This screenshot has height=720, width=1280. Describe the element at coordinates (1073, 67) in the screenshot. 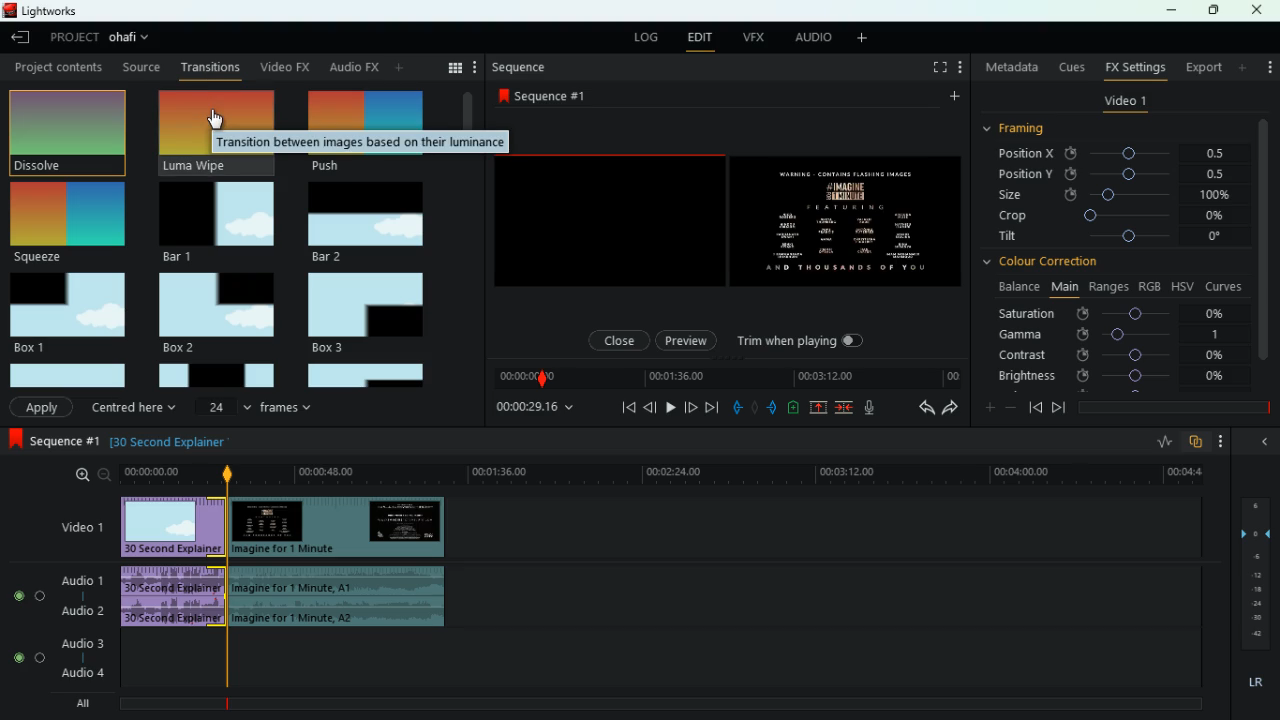

I see `cues` at that location.